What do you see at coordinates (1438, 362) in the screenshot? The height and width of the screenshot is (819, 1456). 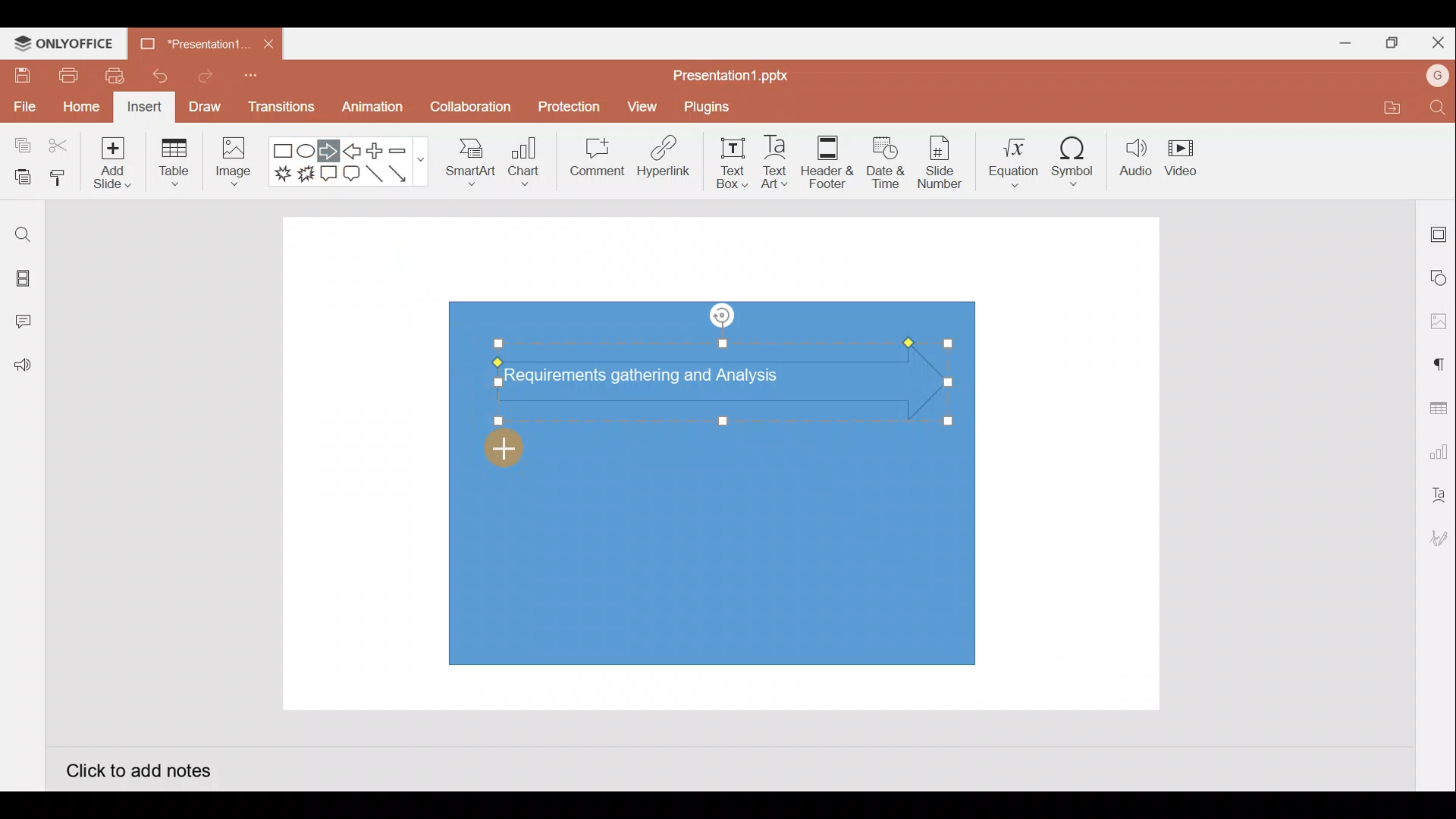 I see `Paragraph settings` at bounding box center [1438, 362].